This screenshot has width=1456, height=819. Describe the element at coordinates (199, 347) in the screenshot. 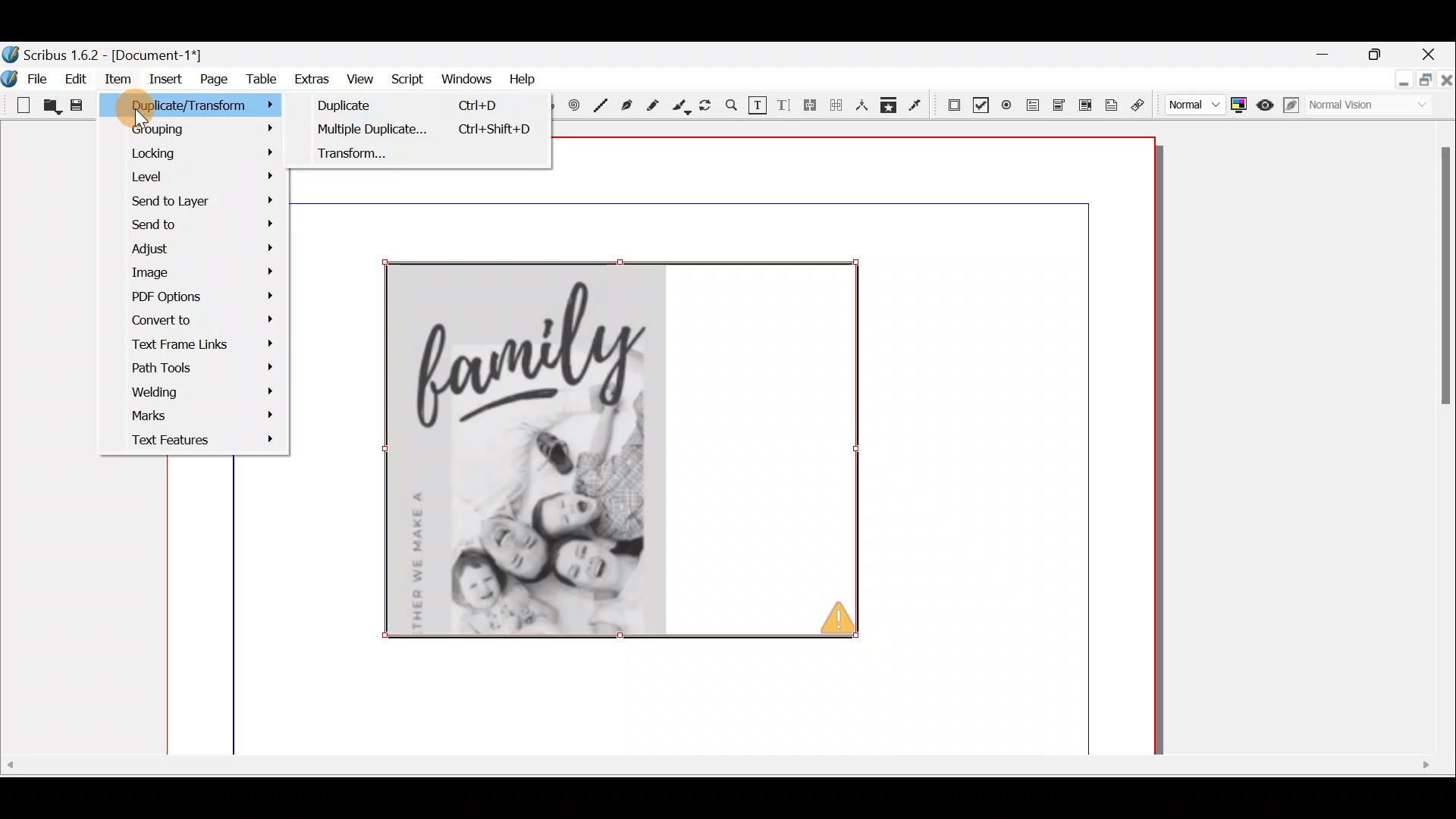

I see `Text frame links` at that location.